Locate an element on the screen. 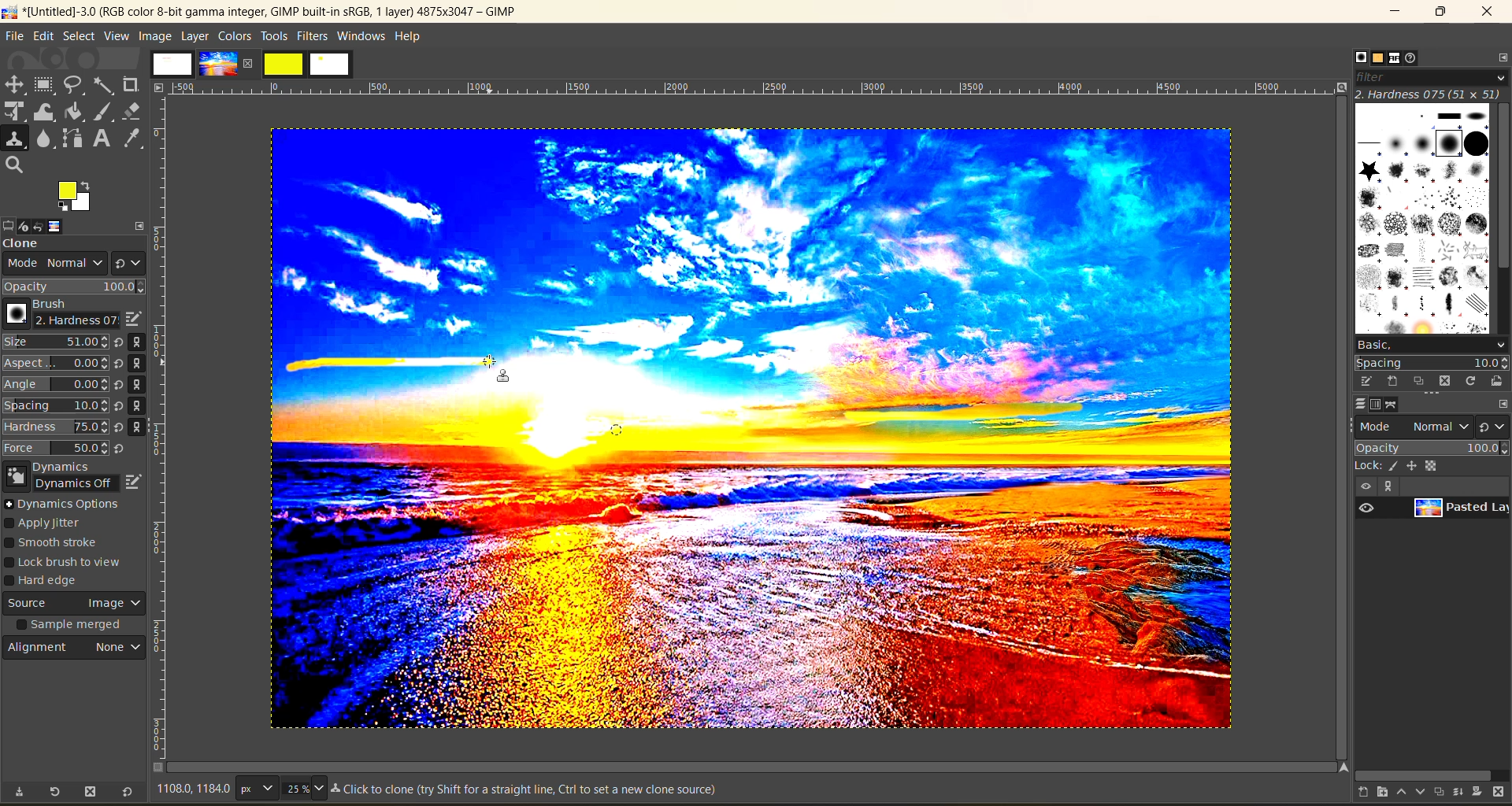 Image resolution: width=1512 pixels, height=806 pixels. reset brush size is located at coordinates (121, 396).